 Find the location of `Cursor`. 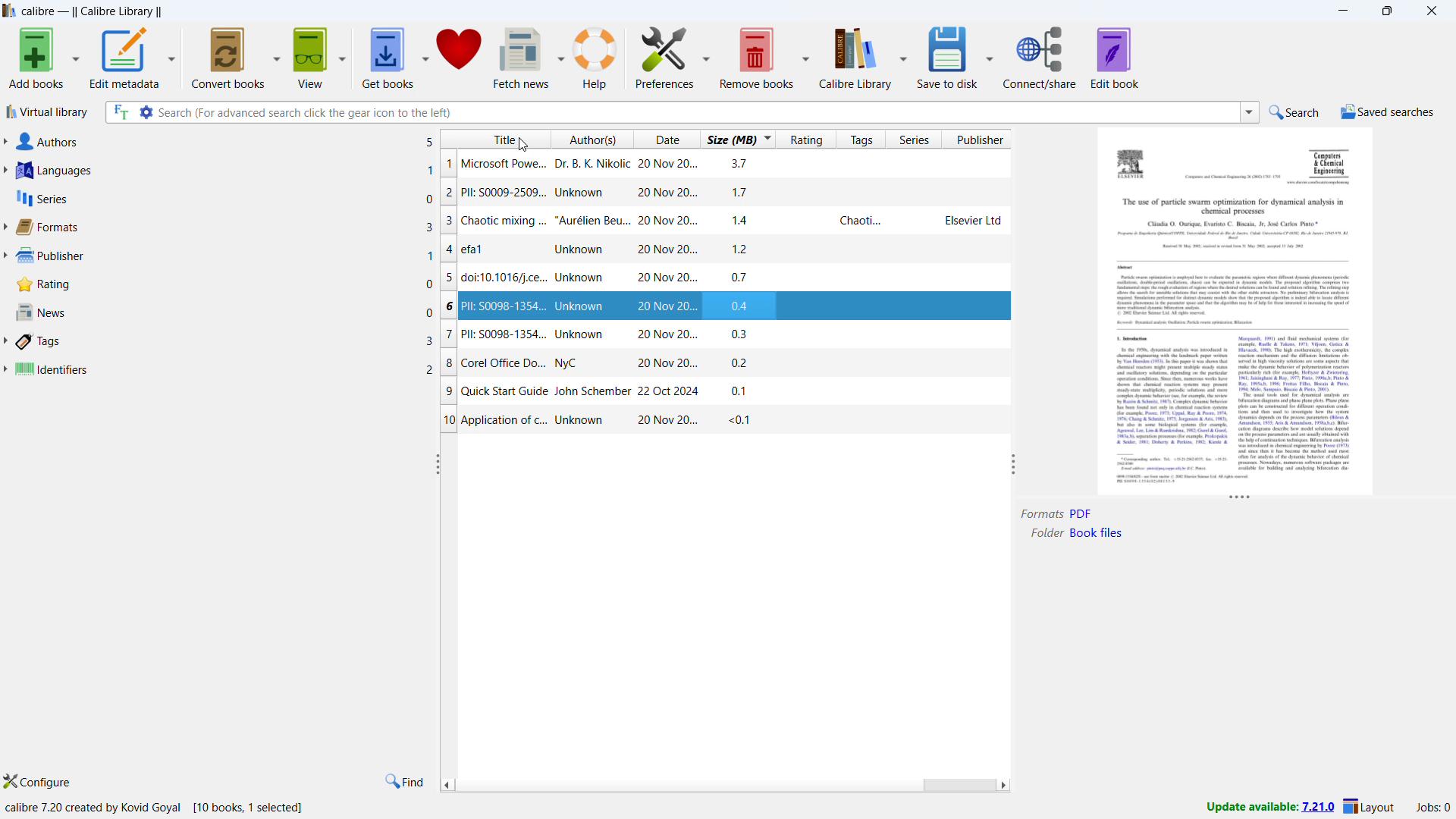

Cursor is located at coordinates (522, 144).